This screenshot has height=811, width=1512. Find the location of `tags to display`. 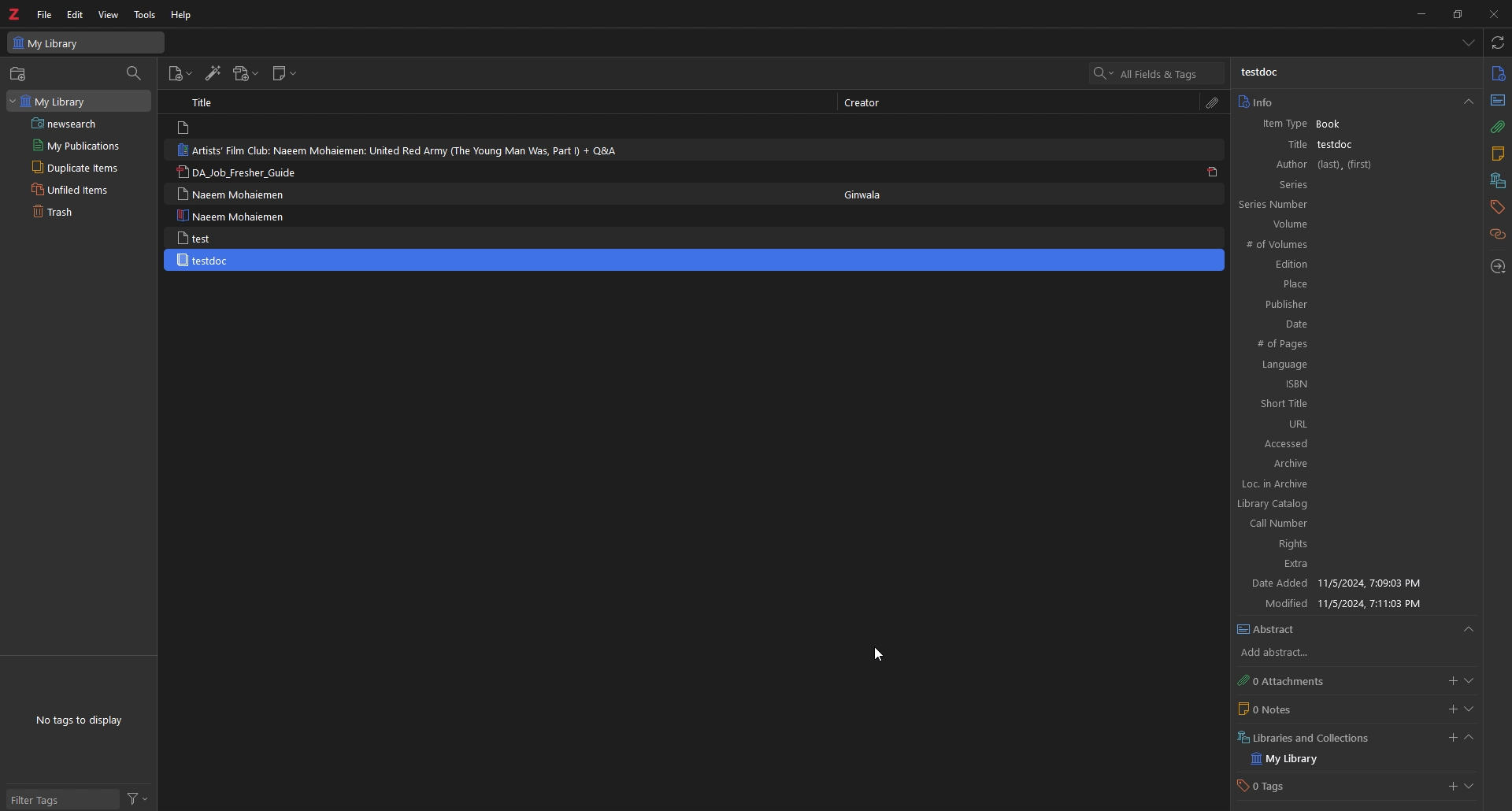

tags to display is located at coordinates (83, 720).